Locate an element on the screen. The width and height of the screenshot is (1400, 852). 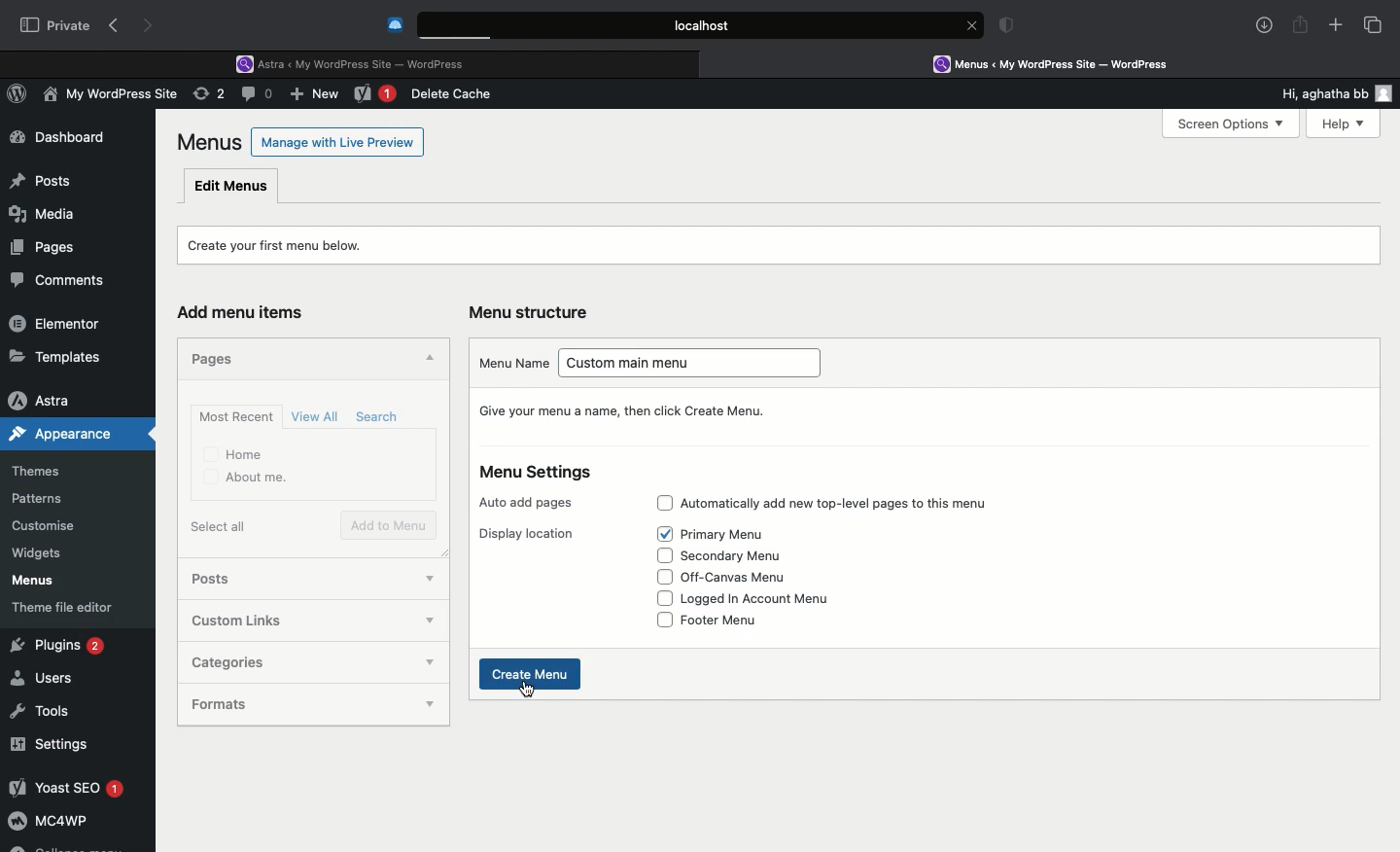
Manage with Live Preview is located at coordinates (338, 141).